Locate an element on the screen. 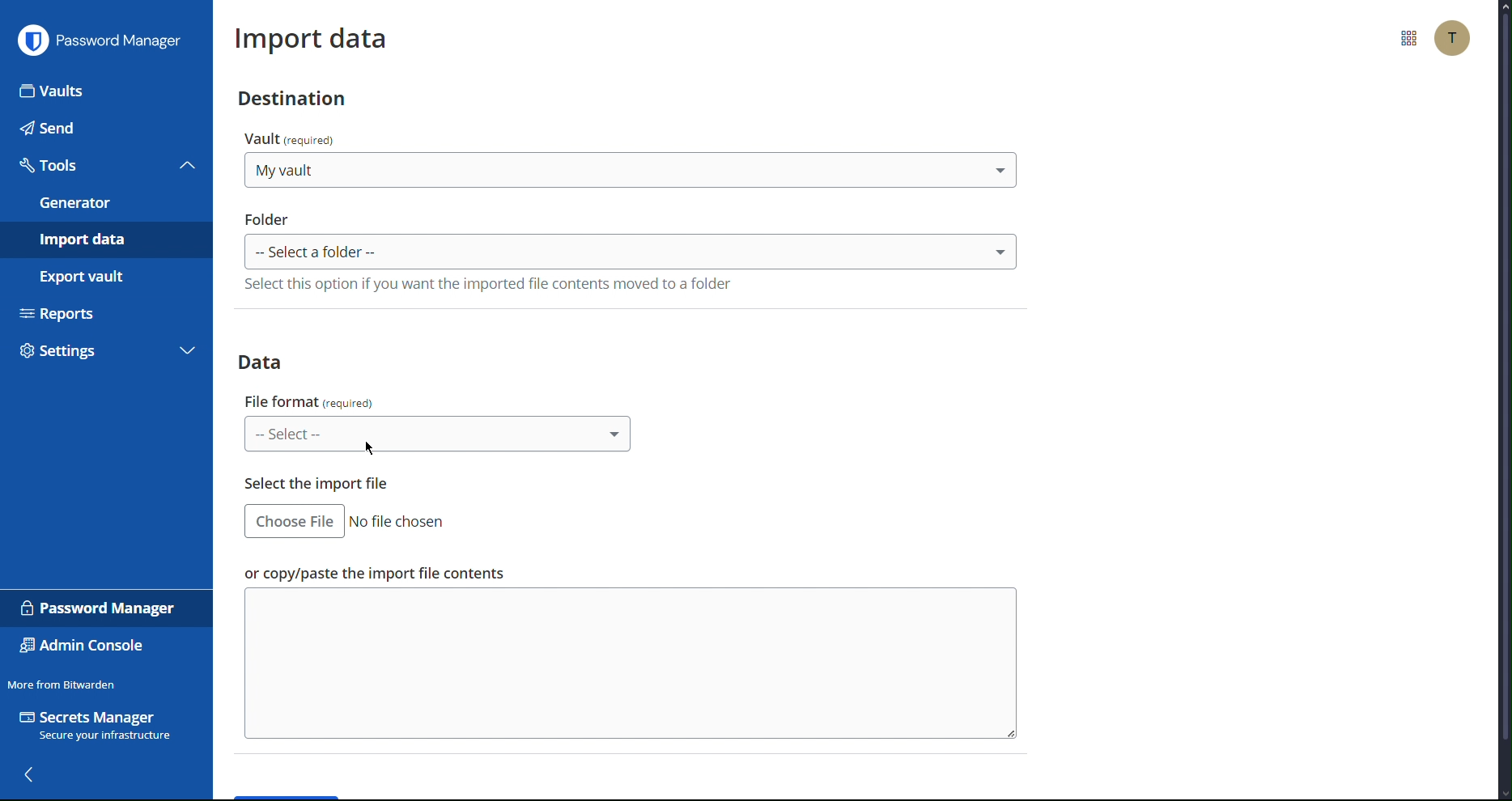  Account is located at coordinates (1454, 38).